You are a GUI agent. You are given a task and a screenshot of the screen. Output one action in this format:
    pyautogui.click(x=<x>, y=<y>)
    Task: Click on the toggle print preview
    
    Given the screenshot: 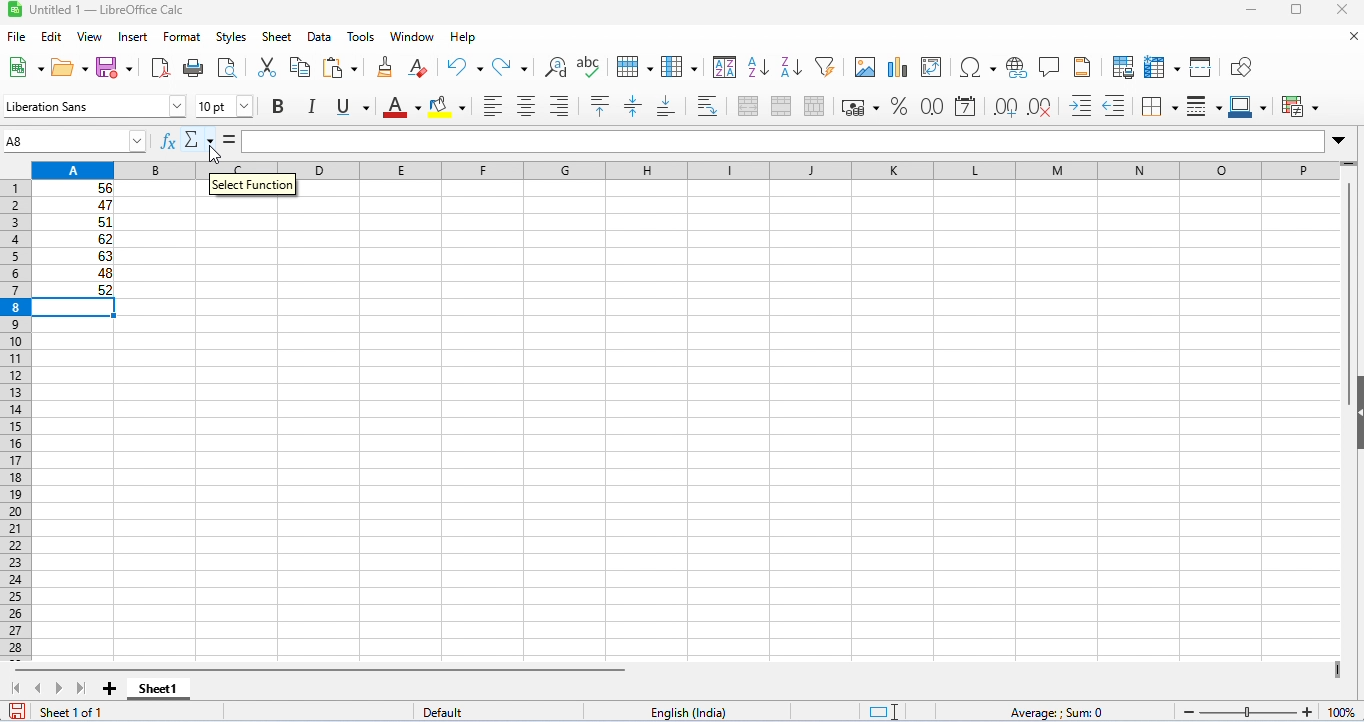 What is the action you would take?
    pyautogui.click(x=228, y=67)
    